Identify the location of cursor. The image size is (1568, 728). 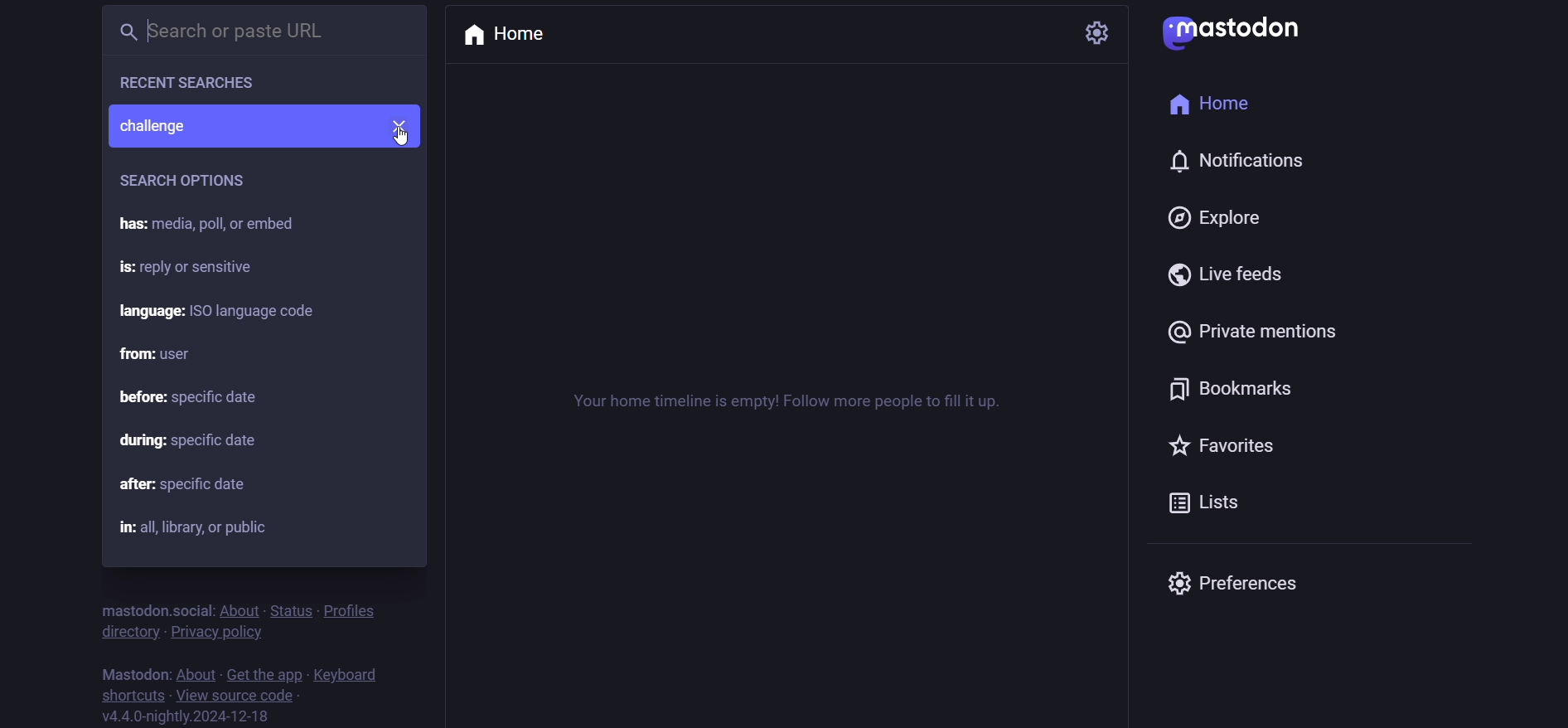
(402, 140).